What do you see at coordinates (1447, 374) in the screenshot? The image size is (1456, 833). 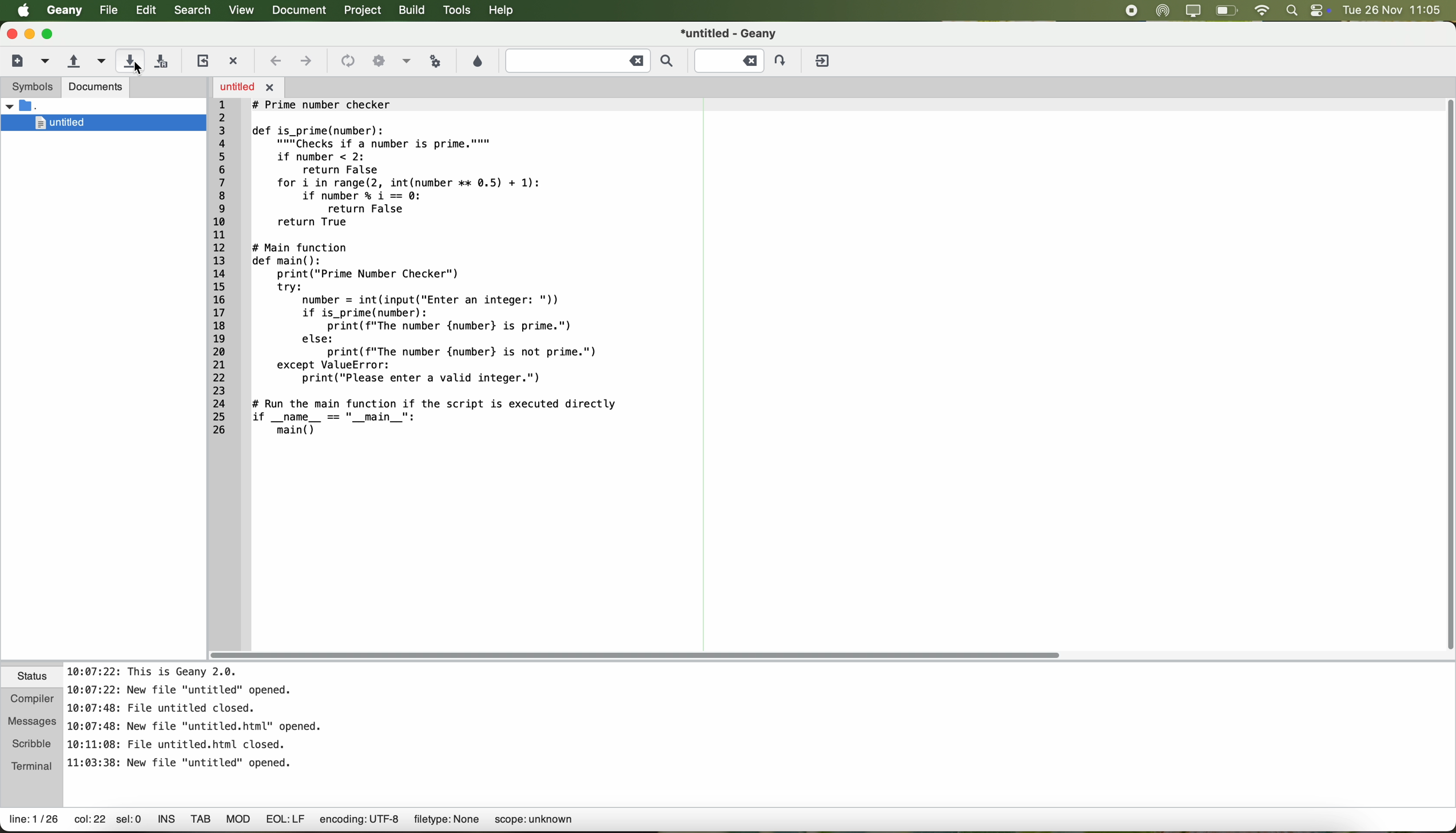 I see `scroll bar` at bounding box center [1447, 374].